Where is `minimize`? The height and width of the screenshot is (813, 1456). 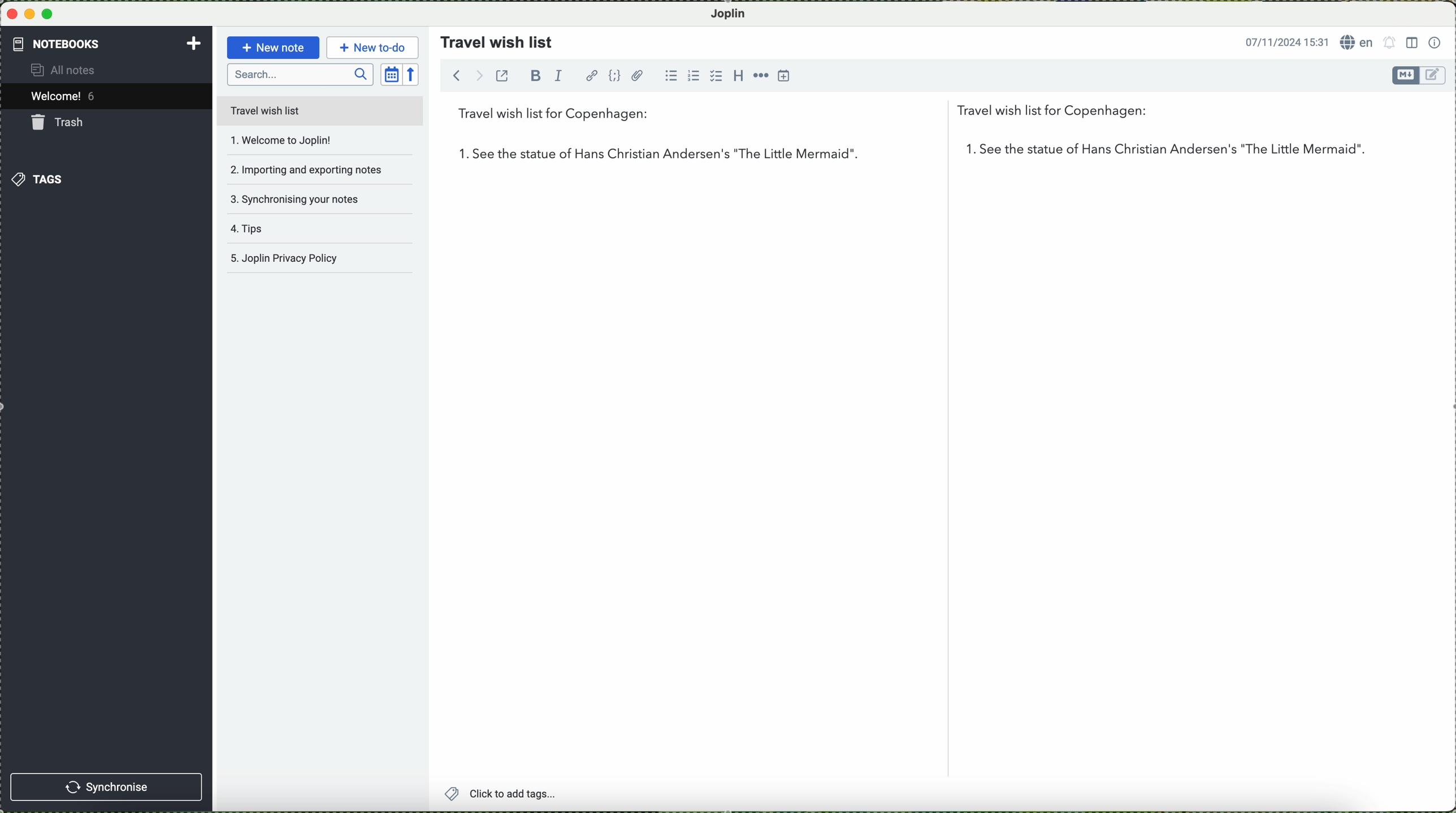 minimize is located at coordinates (31, 14).